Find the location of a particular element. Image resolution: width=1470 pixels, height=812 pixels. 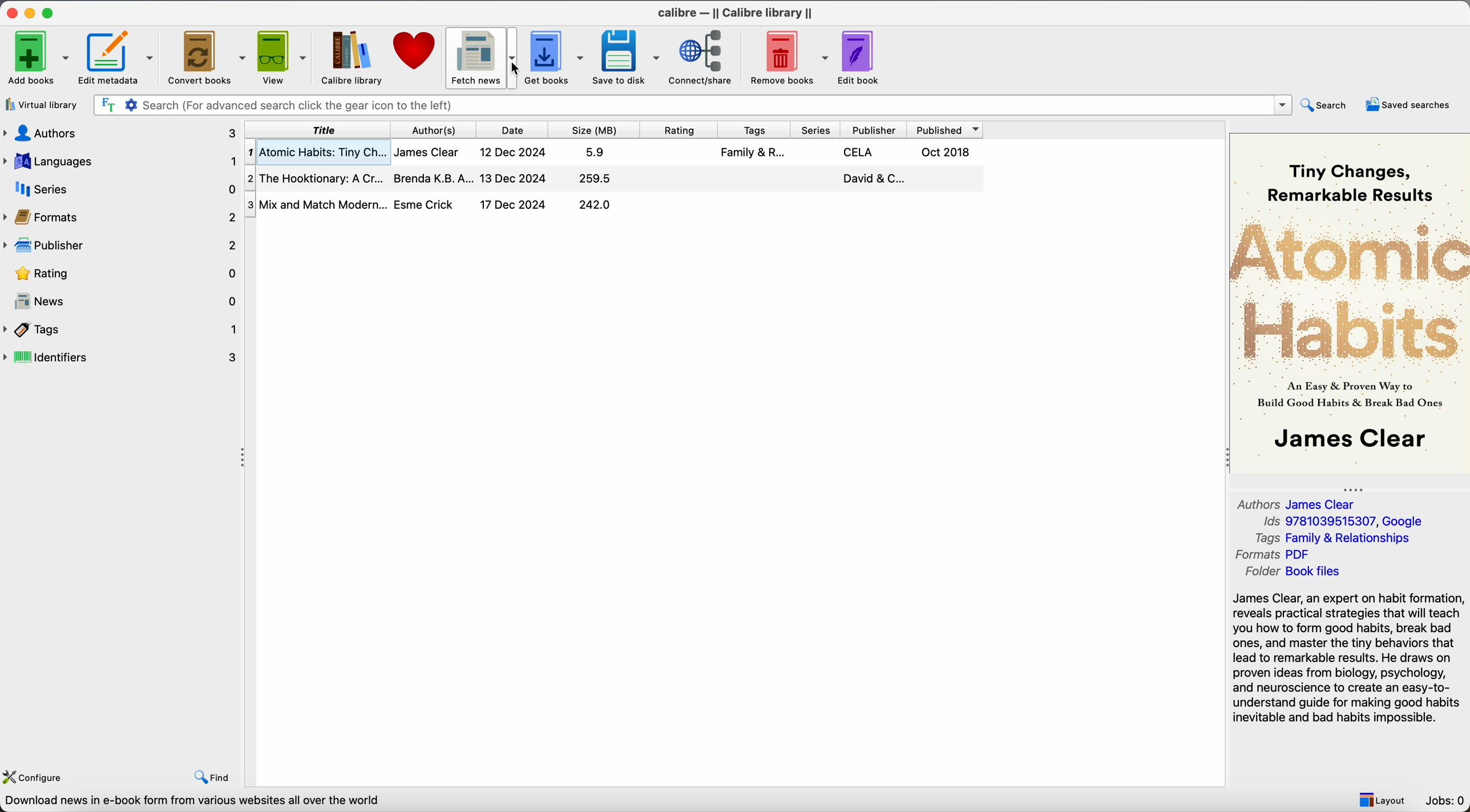

James Clear is located at coordinates (428, 152).